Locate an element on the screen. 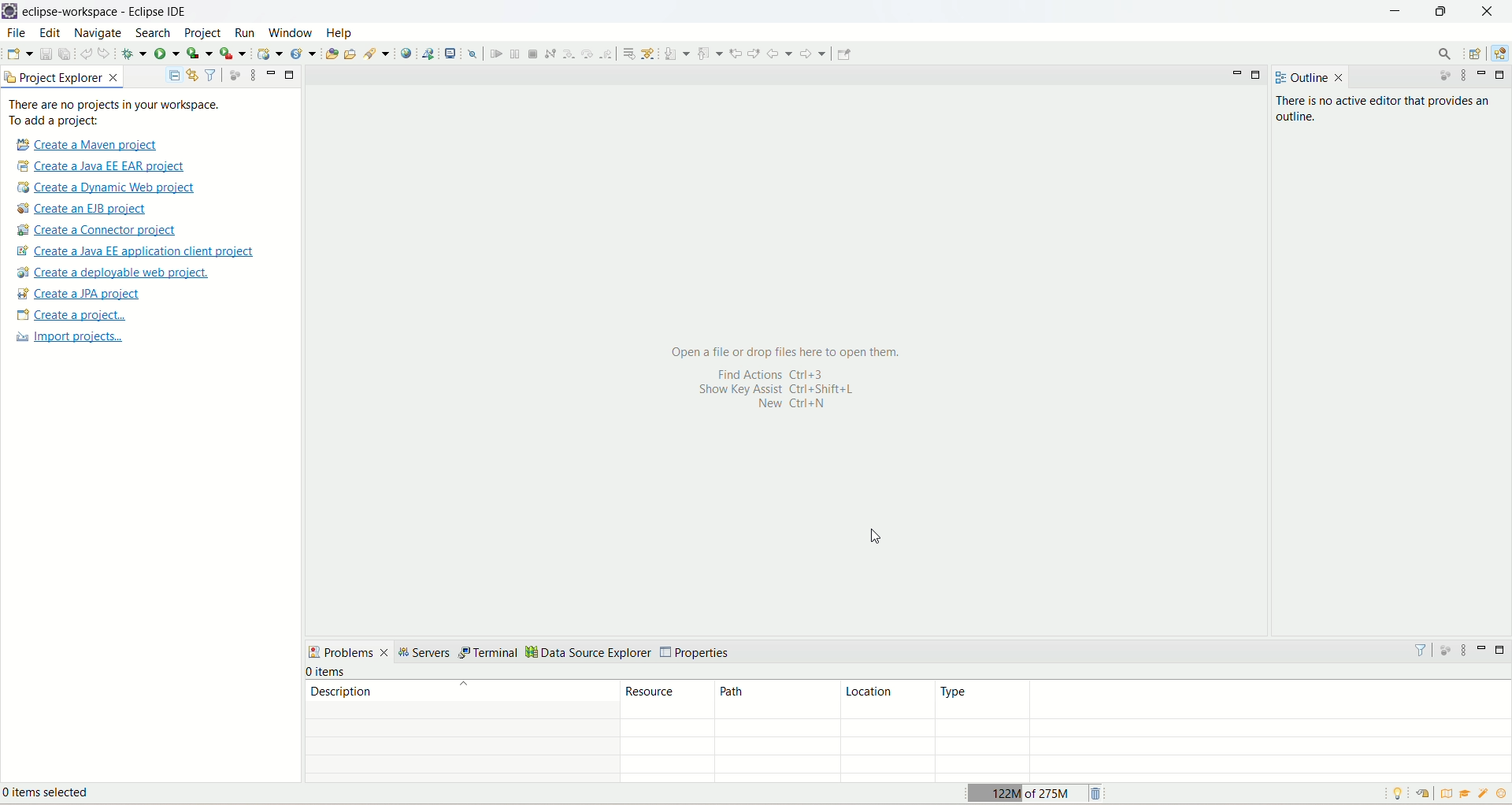 This screenshot has width=1512, height=805. minimize is located at coordinates (1484, 647).